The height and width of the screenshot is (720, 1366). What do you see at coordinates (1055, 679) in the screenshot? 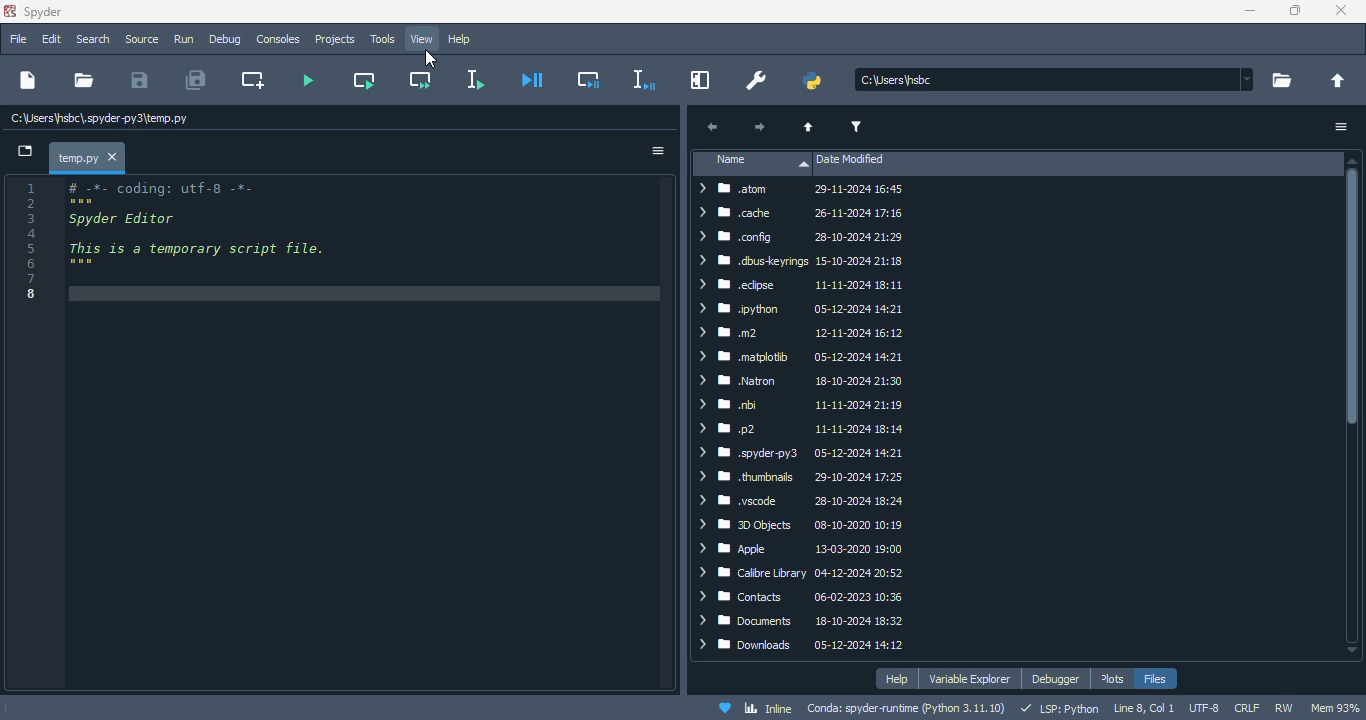
I see `debugger` at bounding box center [1055, 679].